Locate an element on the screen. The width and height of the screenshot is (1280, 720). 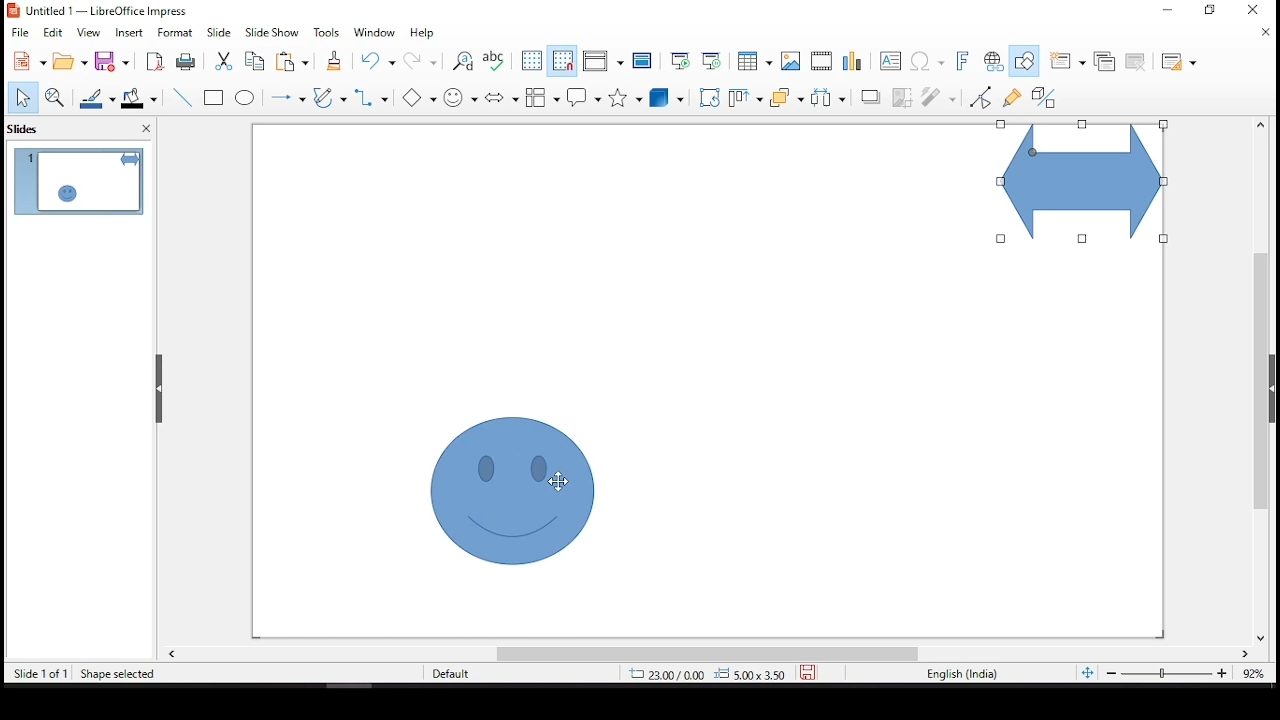
start from first slide is located at coordinates (677, 59).